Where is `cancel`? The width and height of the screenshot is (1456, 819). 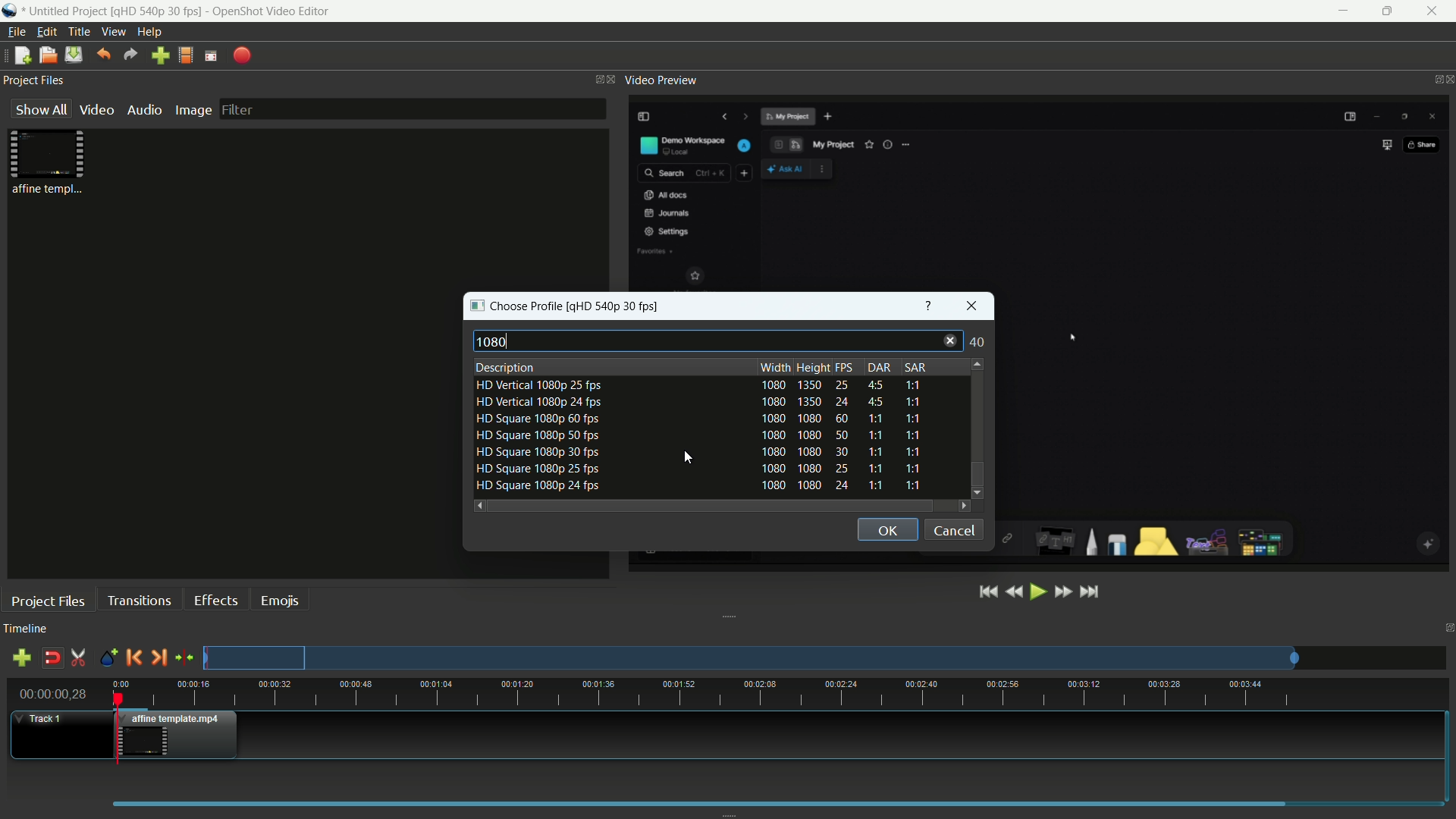 cancel is located at coordinates (954, 531).